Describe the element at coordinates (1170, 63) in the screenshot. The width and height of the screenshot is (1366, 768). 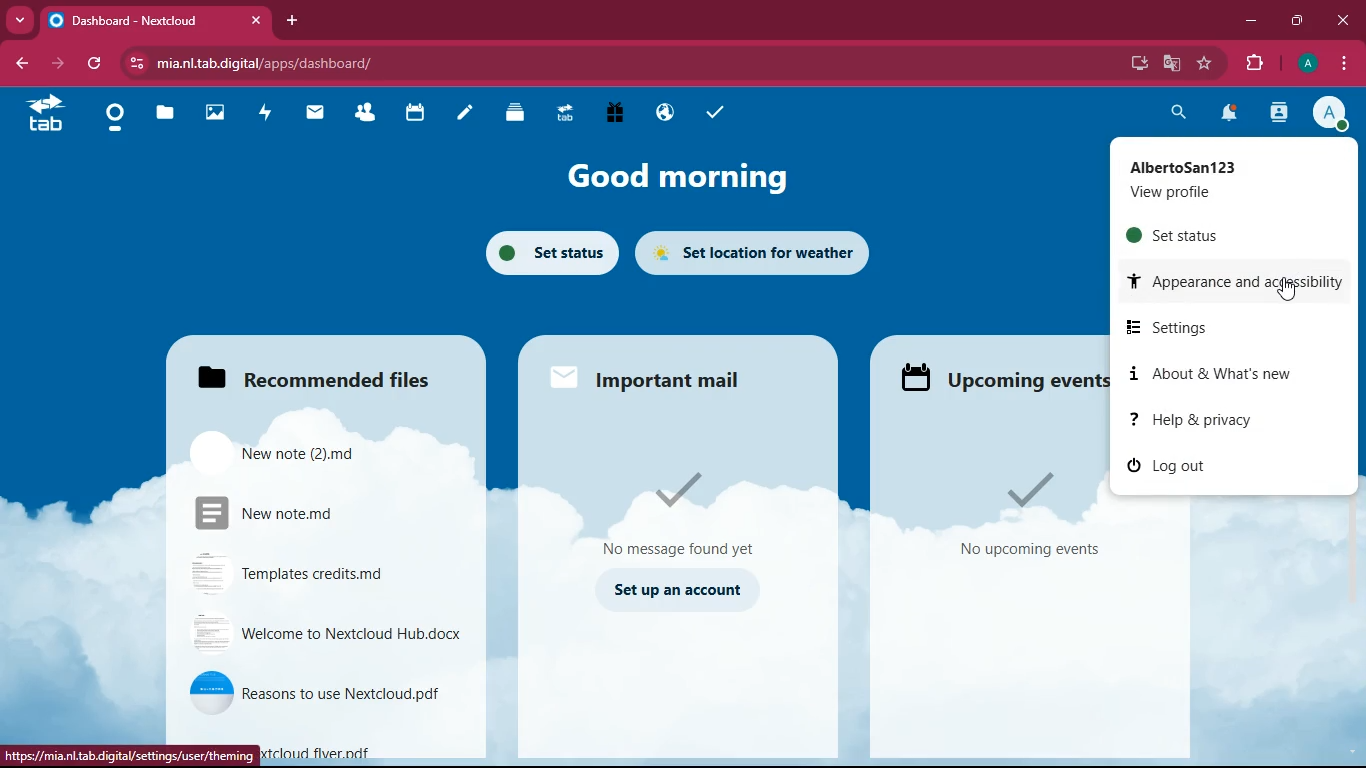
I see `google translate` at that location.